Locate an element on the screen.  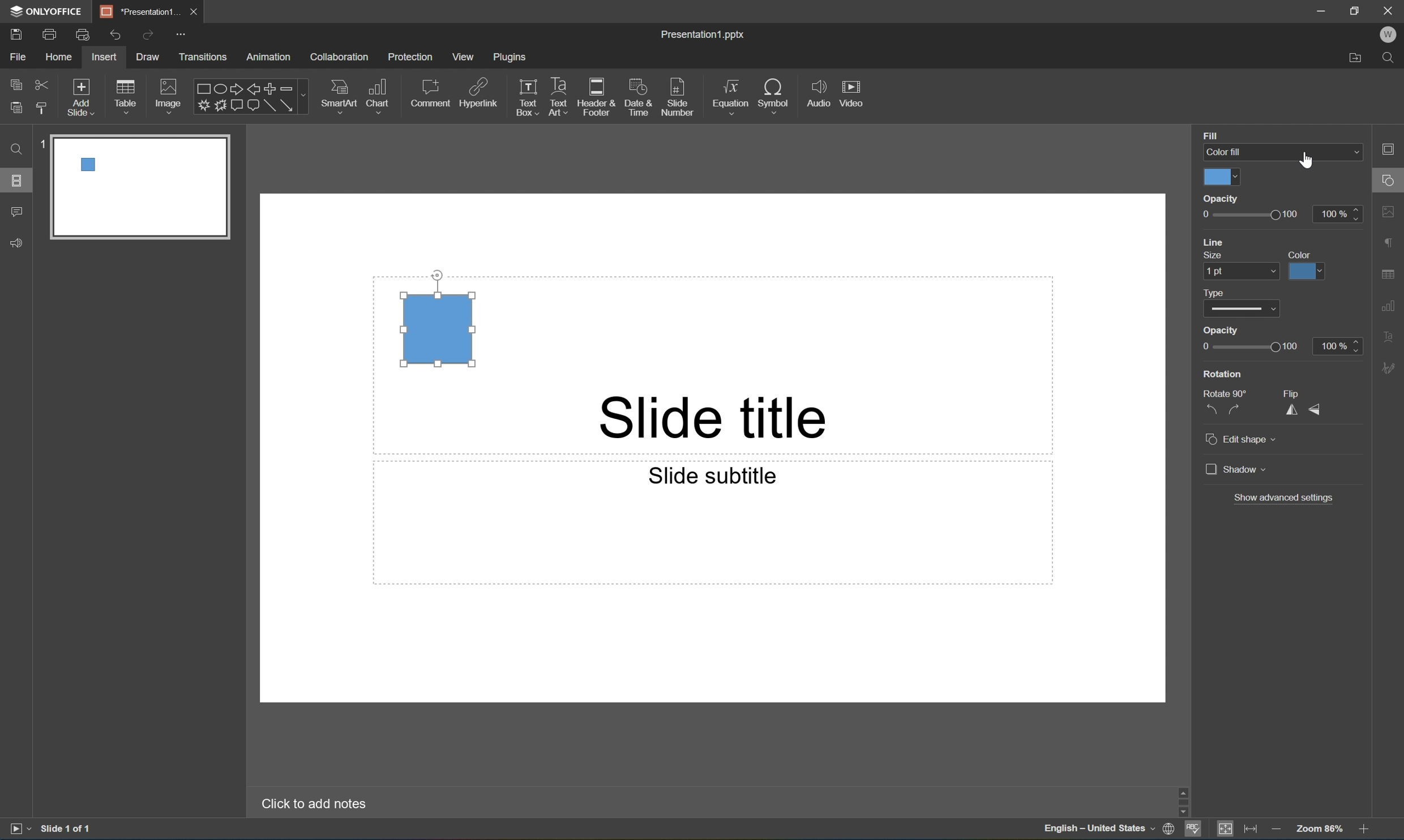
Type is located at coordinates (1241, 310).